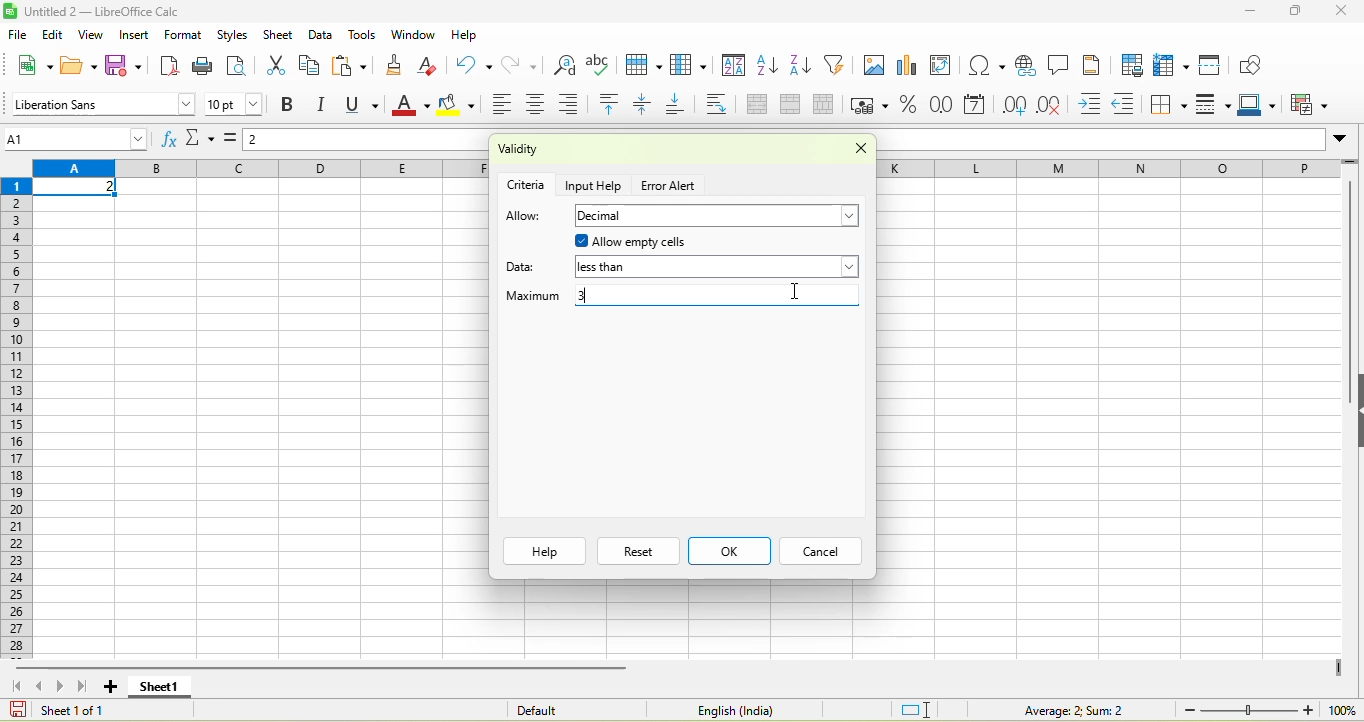  I want to click on align center, so click(539, 106).